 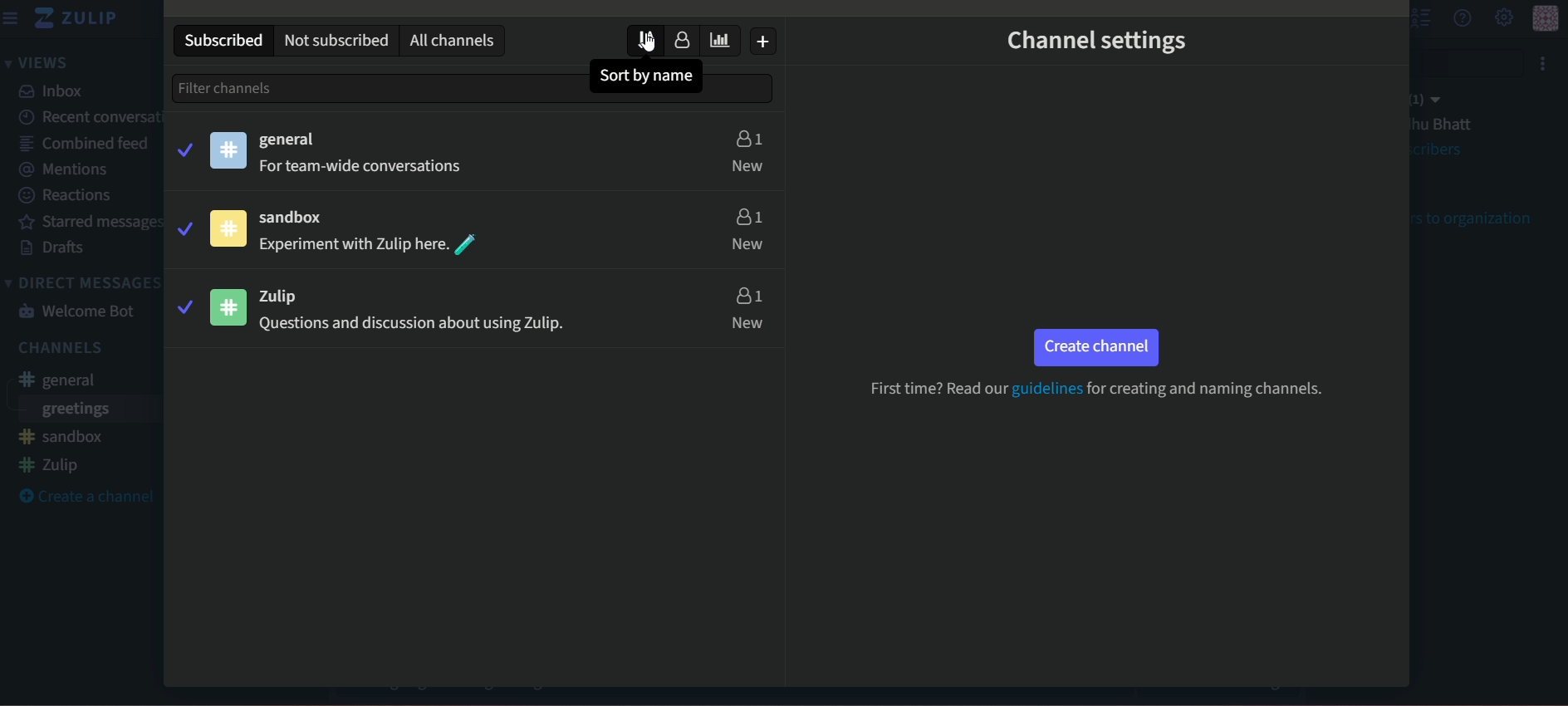 What do you see at coordinates (66, 196) in the screenshot?
I see `Reactions` at bounding box center [66, 196].